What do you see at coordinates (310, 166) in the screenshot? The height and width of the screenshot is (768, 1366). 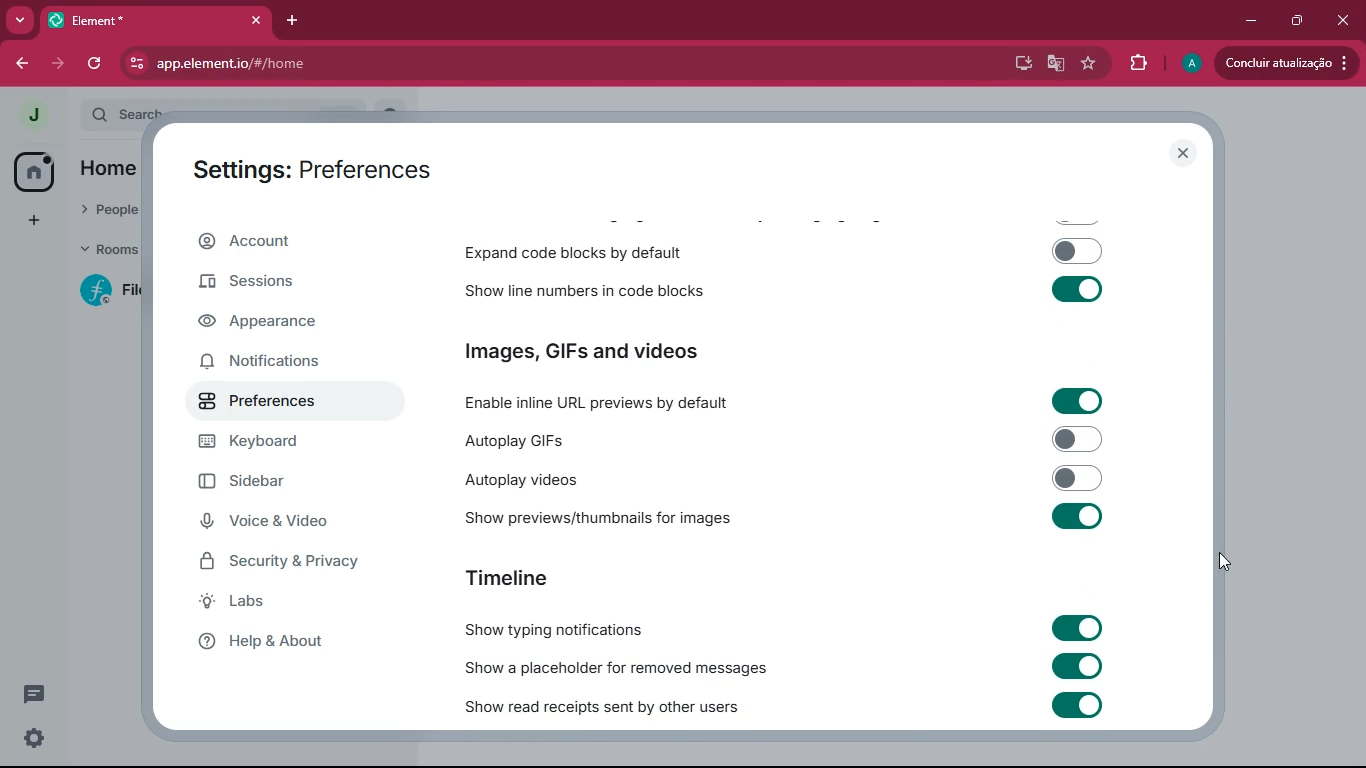 I see `settings: preferences` at bounding box center [310, 166].